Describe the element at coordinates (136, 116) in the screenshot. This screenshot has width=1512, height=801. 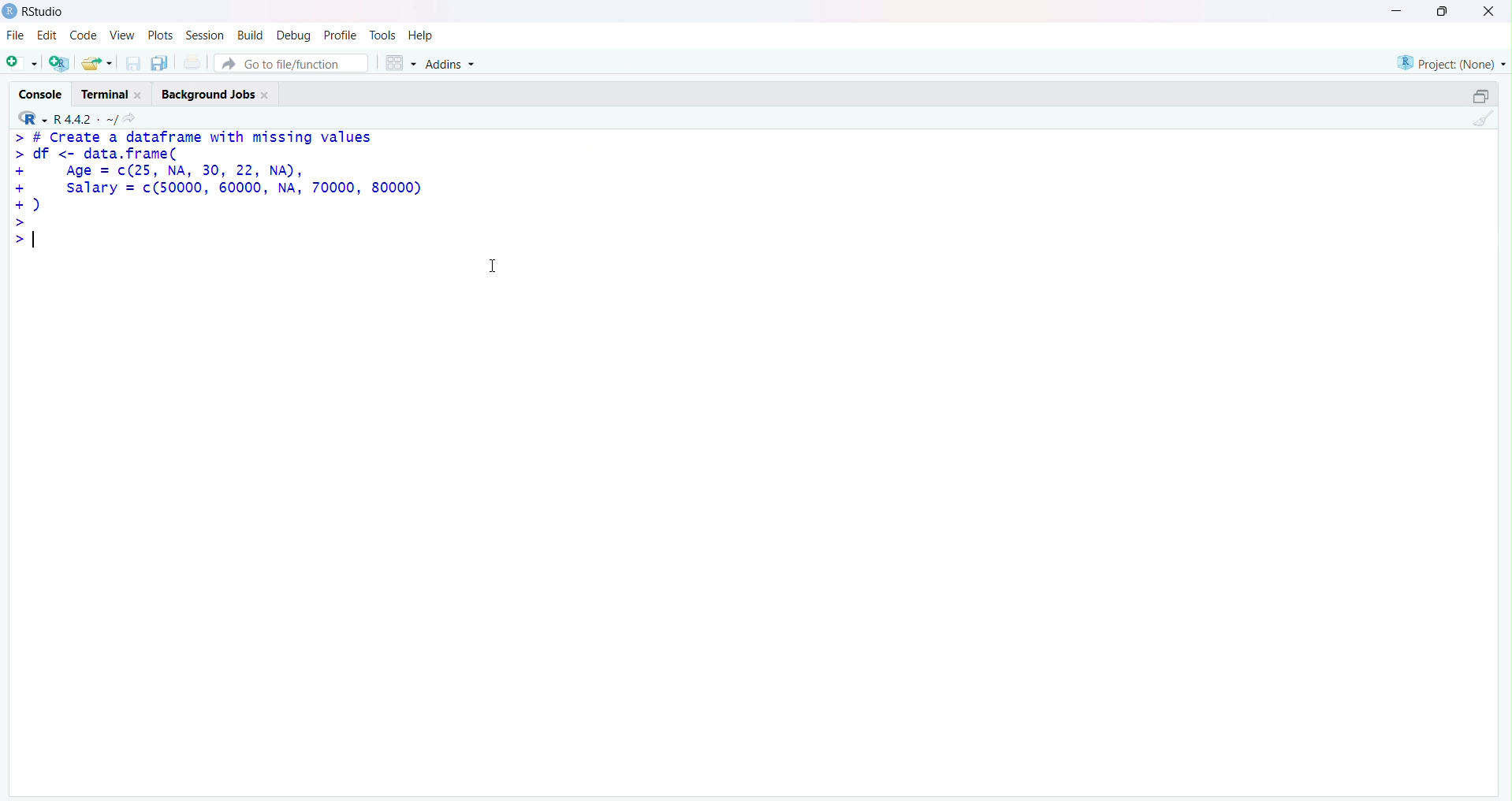
I see `View the current working directory` at that location.